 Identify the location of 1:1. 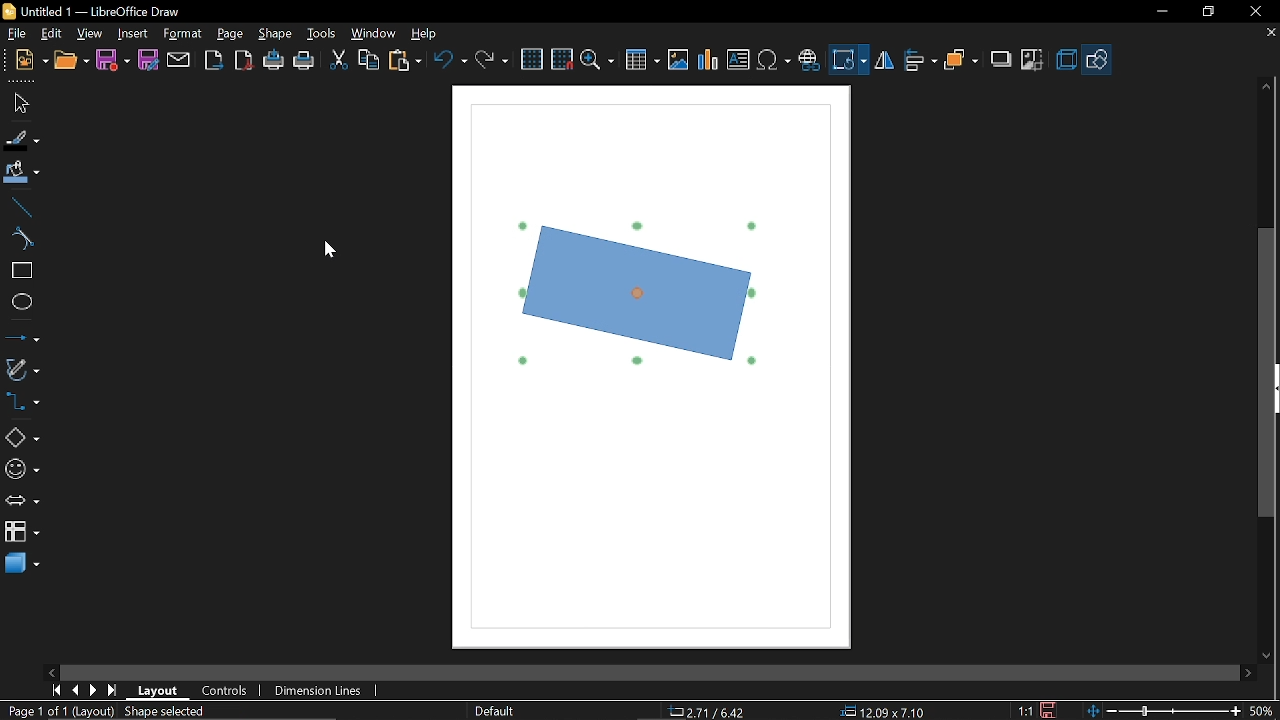
(1025, 710).